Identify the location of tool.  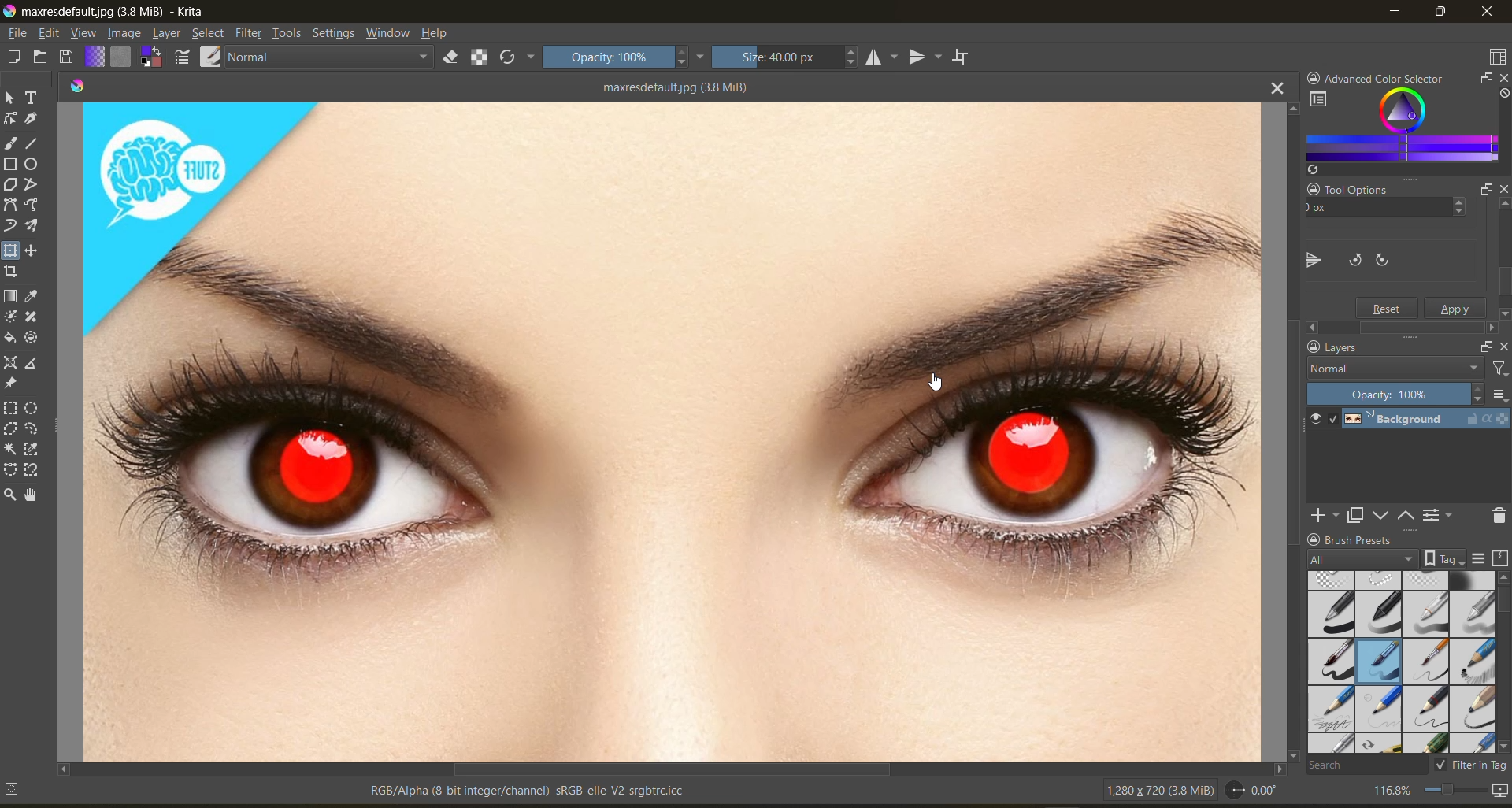
(10, 206).